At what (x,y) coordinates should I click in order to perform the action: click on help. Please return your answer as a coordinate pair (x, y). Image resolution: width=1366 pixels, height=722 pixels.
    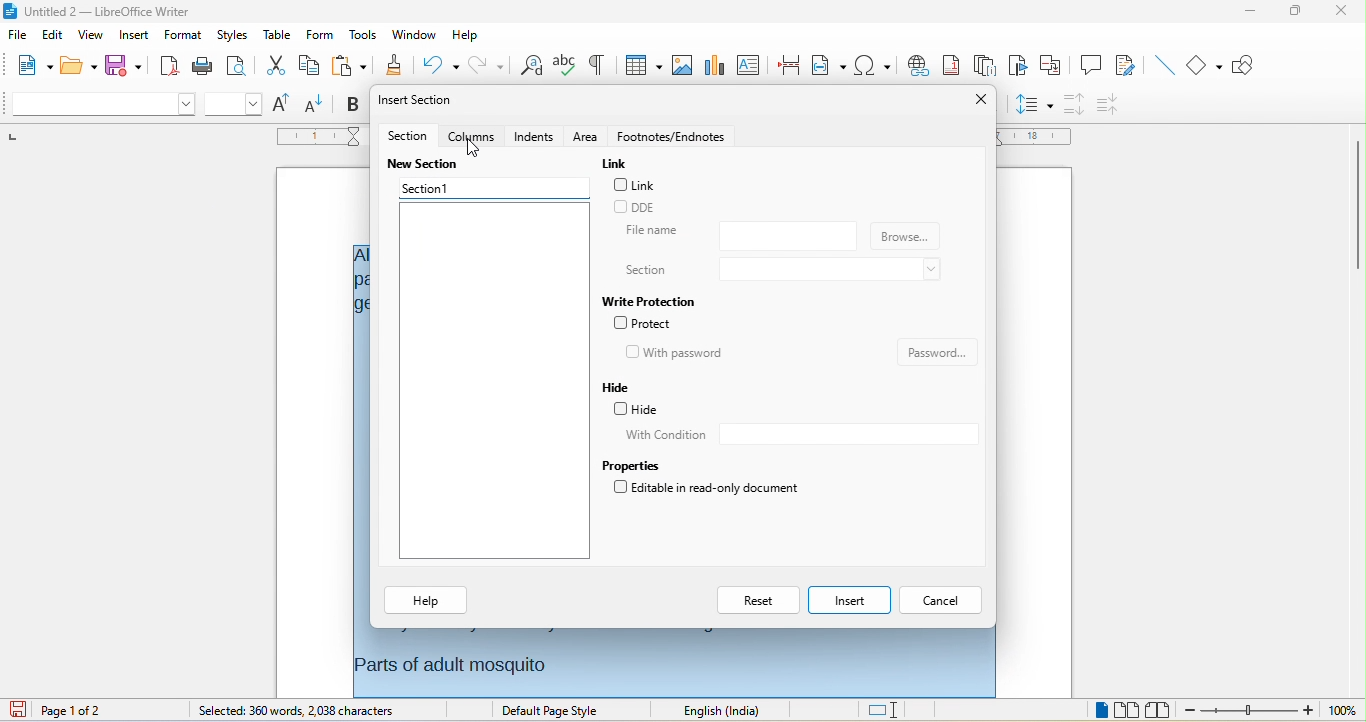
    Looking at the image, I should click on (427, 601).